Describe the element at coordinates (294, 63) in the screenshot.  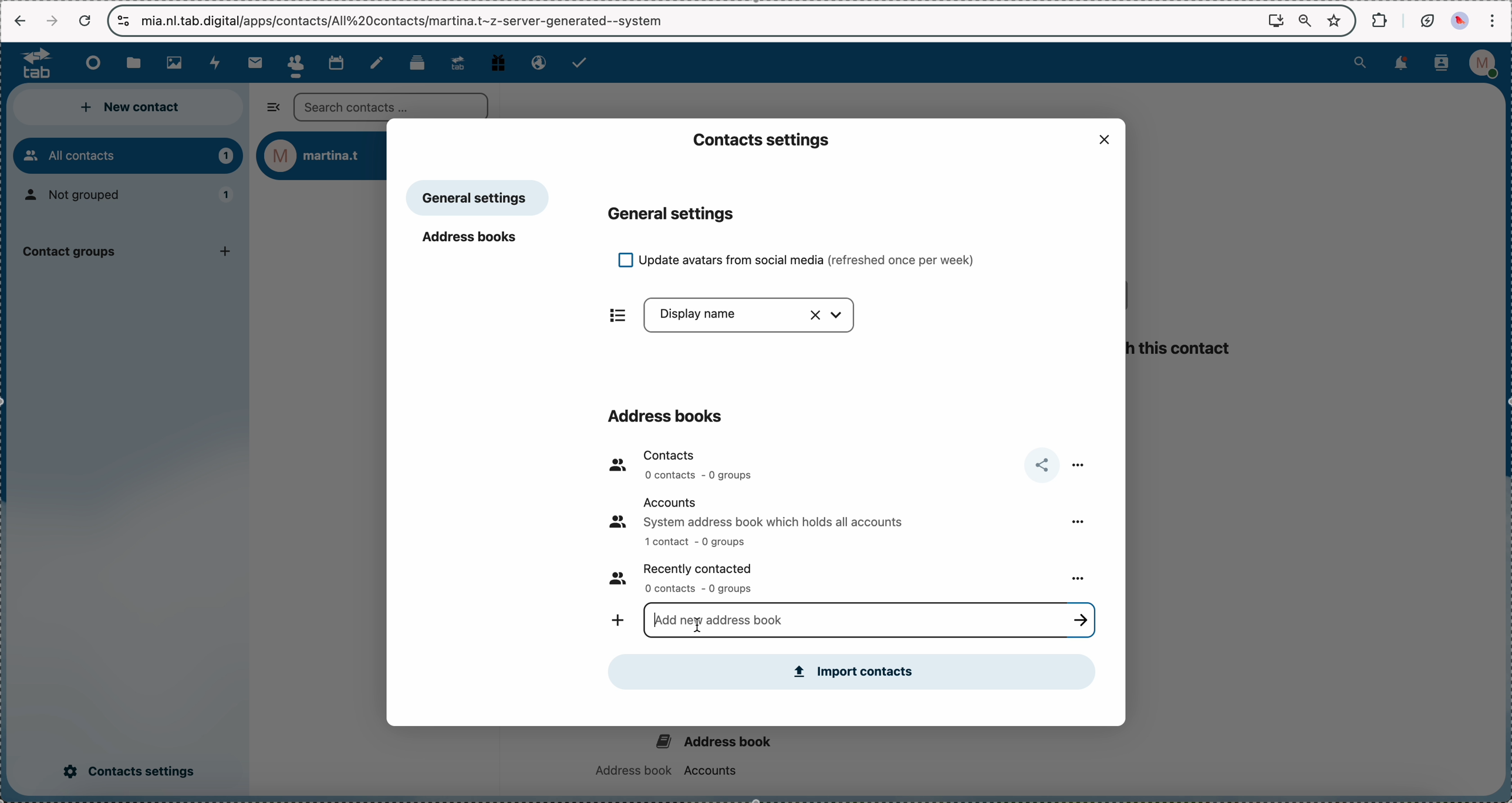
I see `click on contacts` at that location.